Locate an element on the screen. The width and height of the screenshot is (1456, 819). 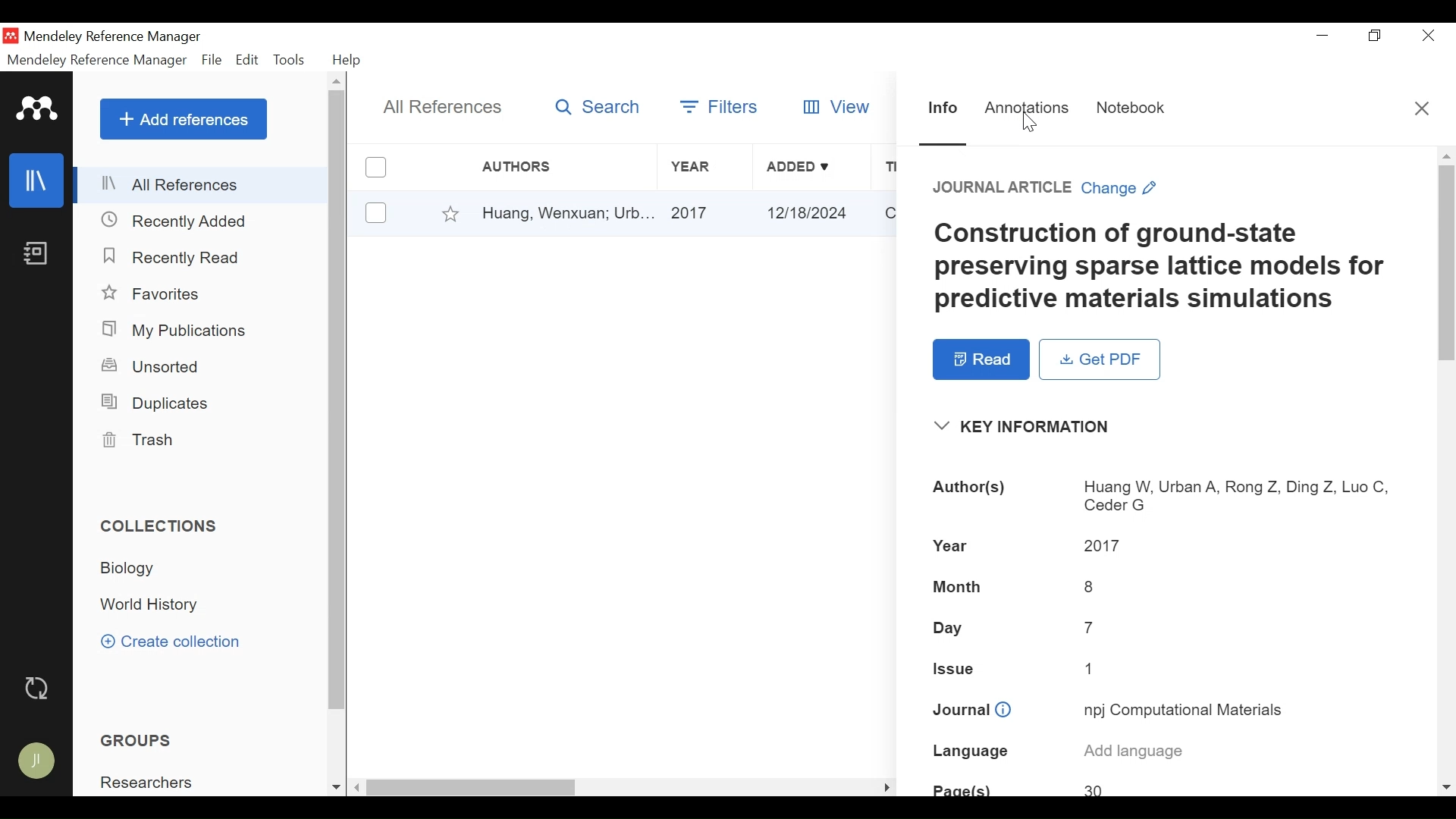
npj Computational Materials is located at coordinates (1185, 709).